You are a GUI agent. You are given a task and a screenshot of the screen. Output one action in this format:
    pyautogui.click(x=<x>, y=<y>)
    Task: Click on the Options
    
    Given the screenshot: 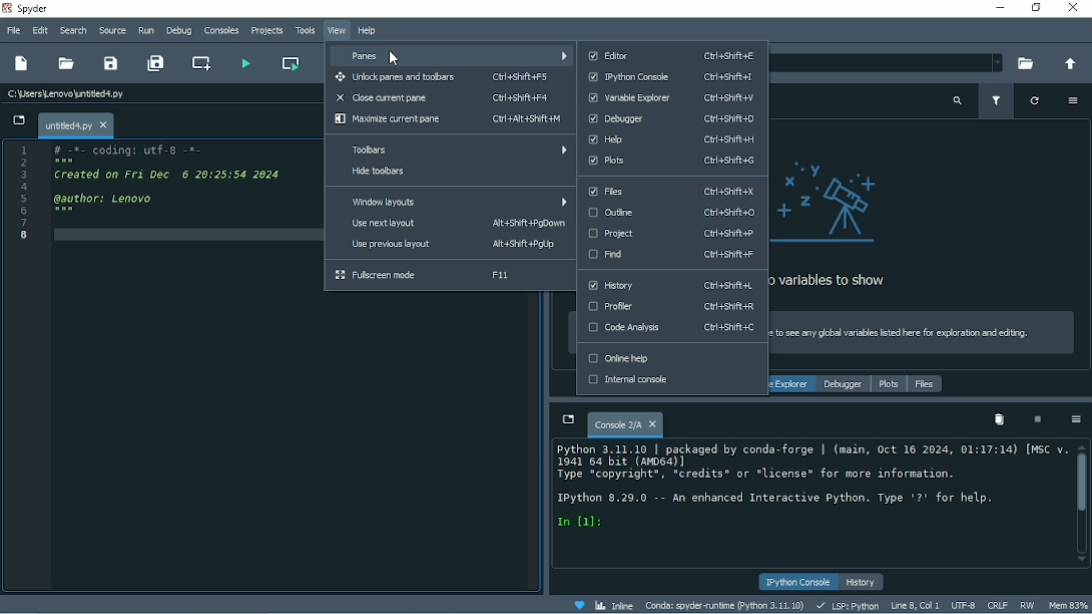 What is the action you would take?
    pyautogui.click(x=1073, y=101)
    